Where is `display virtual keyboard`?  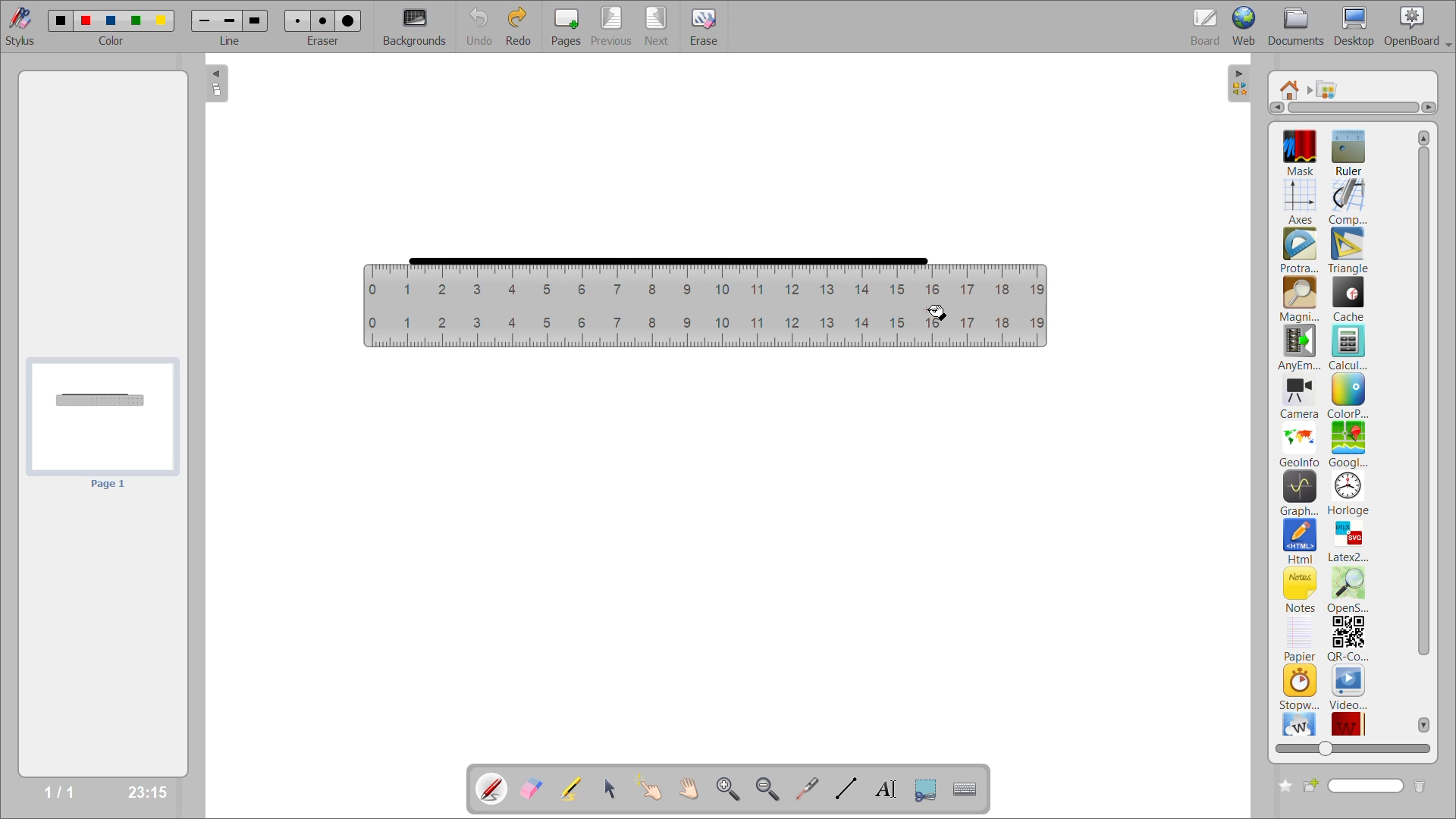 display virtual keyboard is located at coordinates (968, 789).